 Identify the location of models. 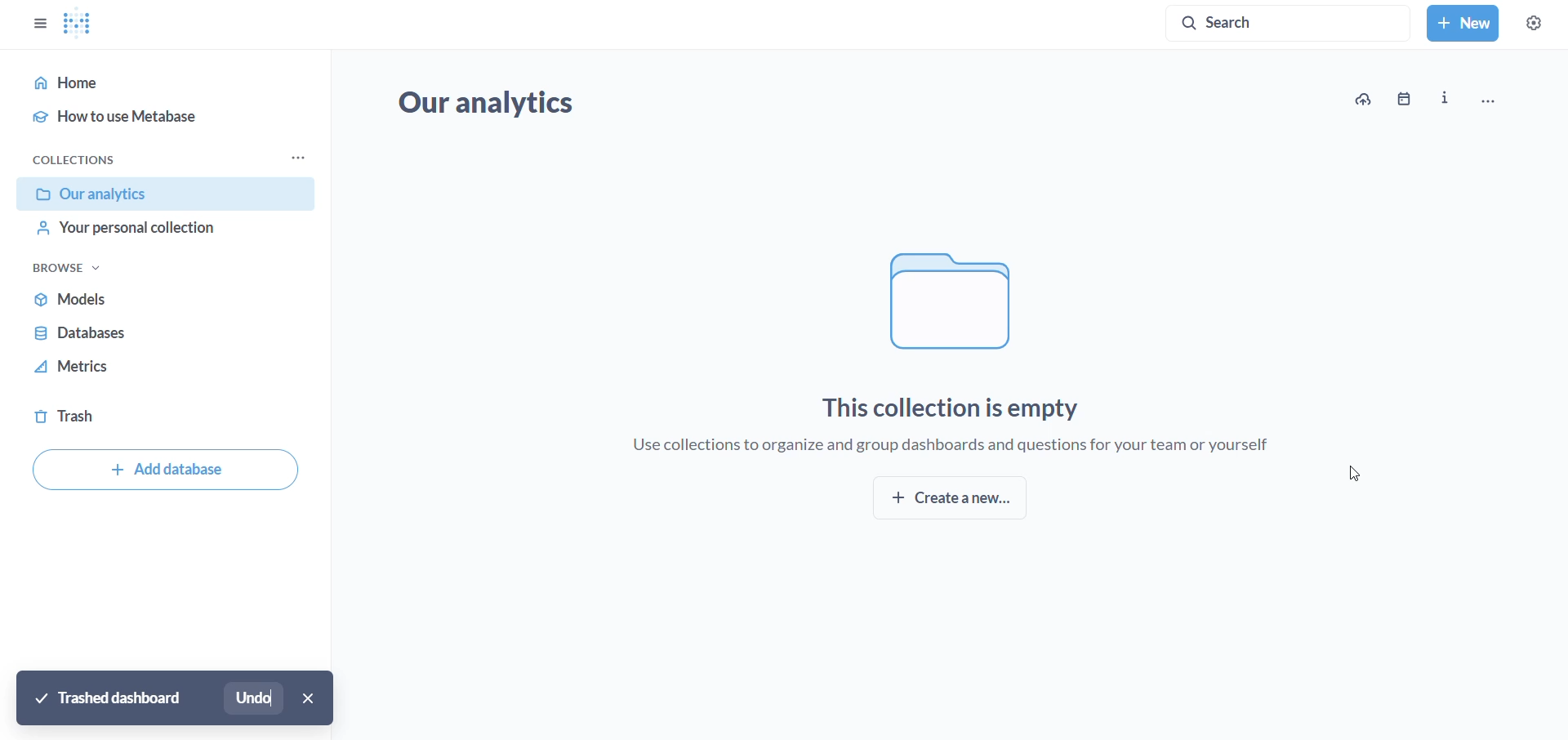
(161, 304).